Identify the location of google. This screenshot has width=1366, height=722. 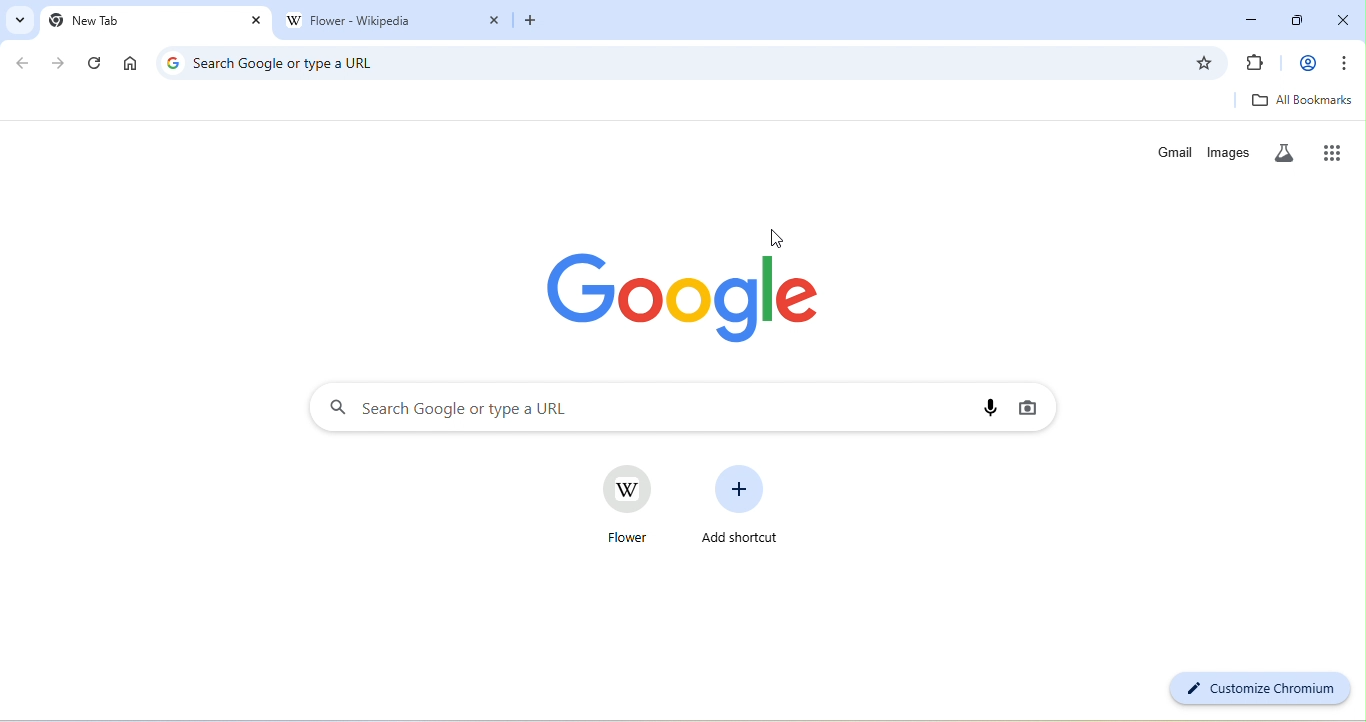
(691, 295).